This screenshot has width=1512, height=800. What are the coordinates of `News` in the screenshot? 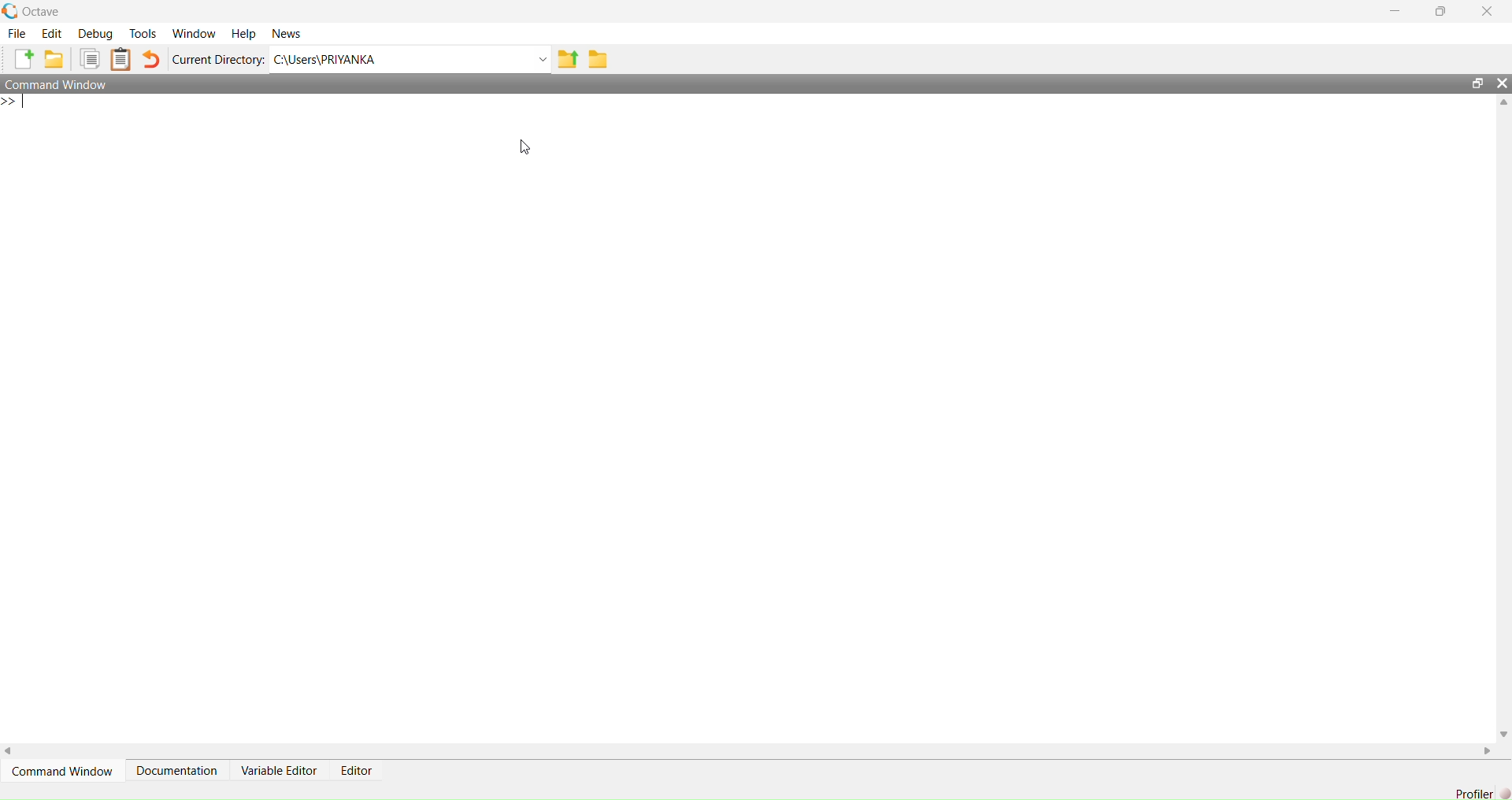 It's located at (287, 35).